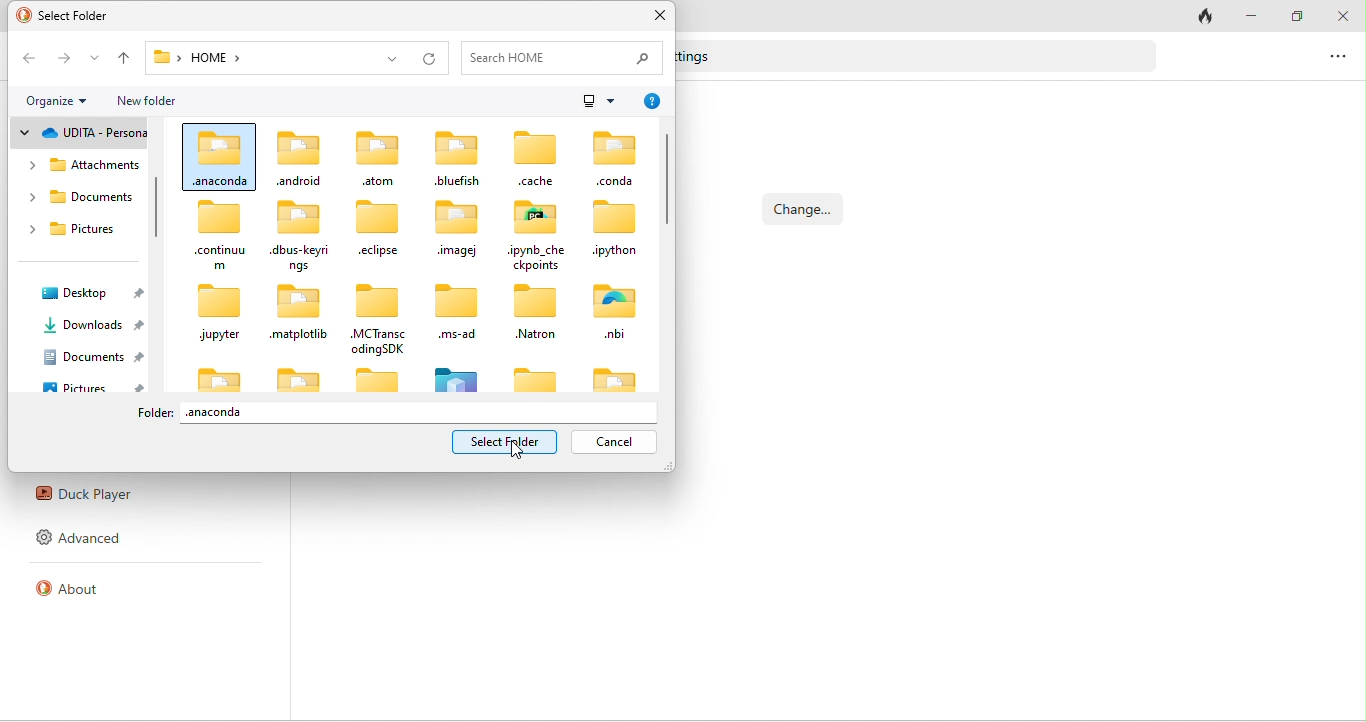 The height and width of the screenshot is (722, 1366). Describe the element at coordinates (660, 17) in the screenshot. I see `close` at that location.